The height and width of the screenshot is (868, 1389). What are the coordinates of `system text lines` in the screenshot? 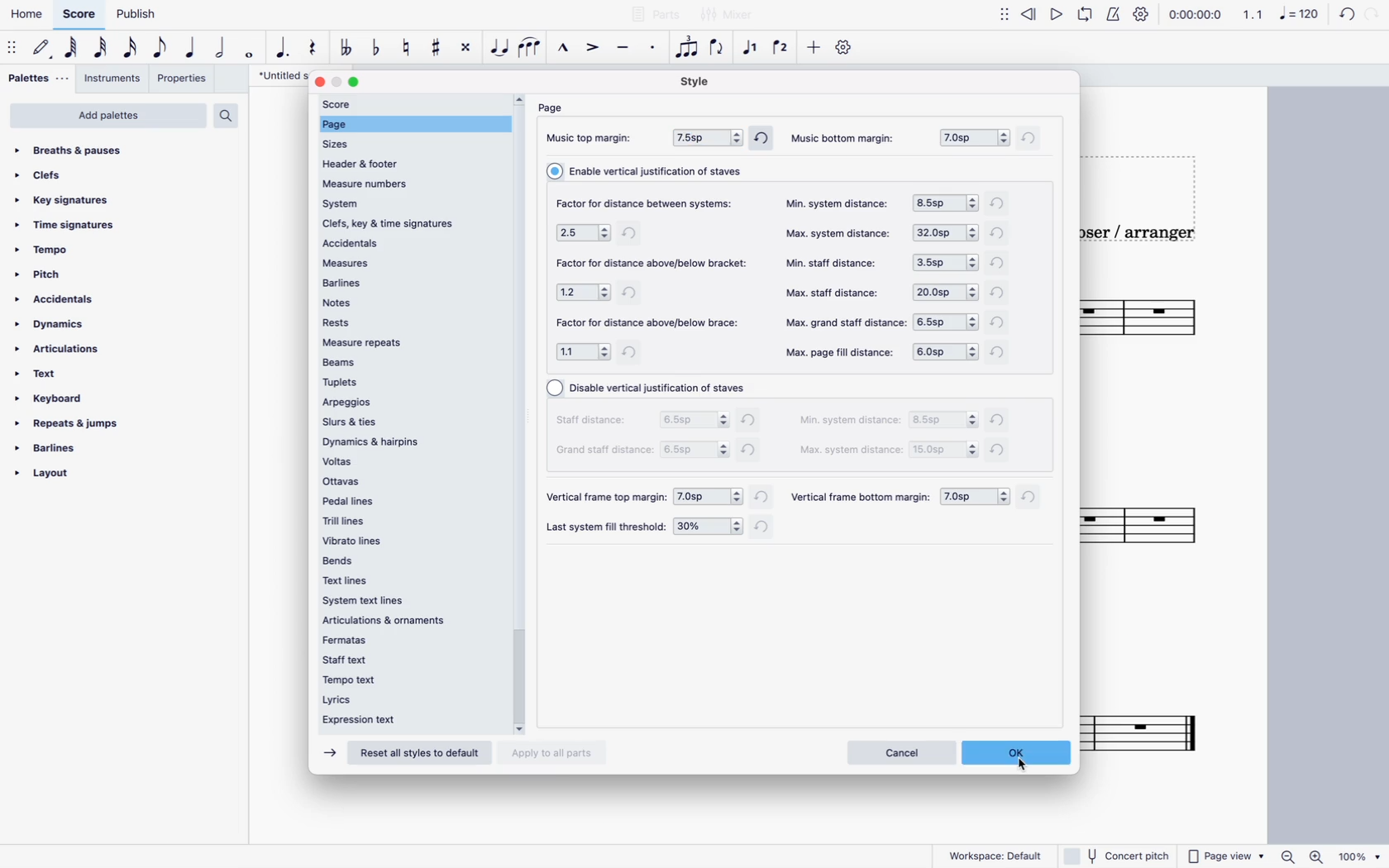 It's located at (375, 602).